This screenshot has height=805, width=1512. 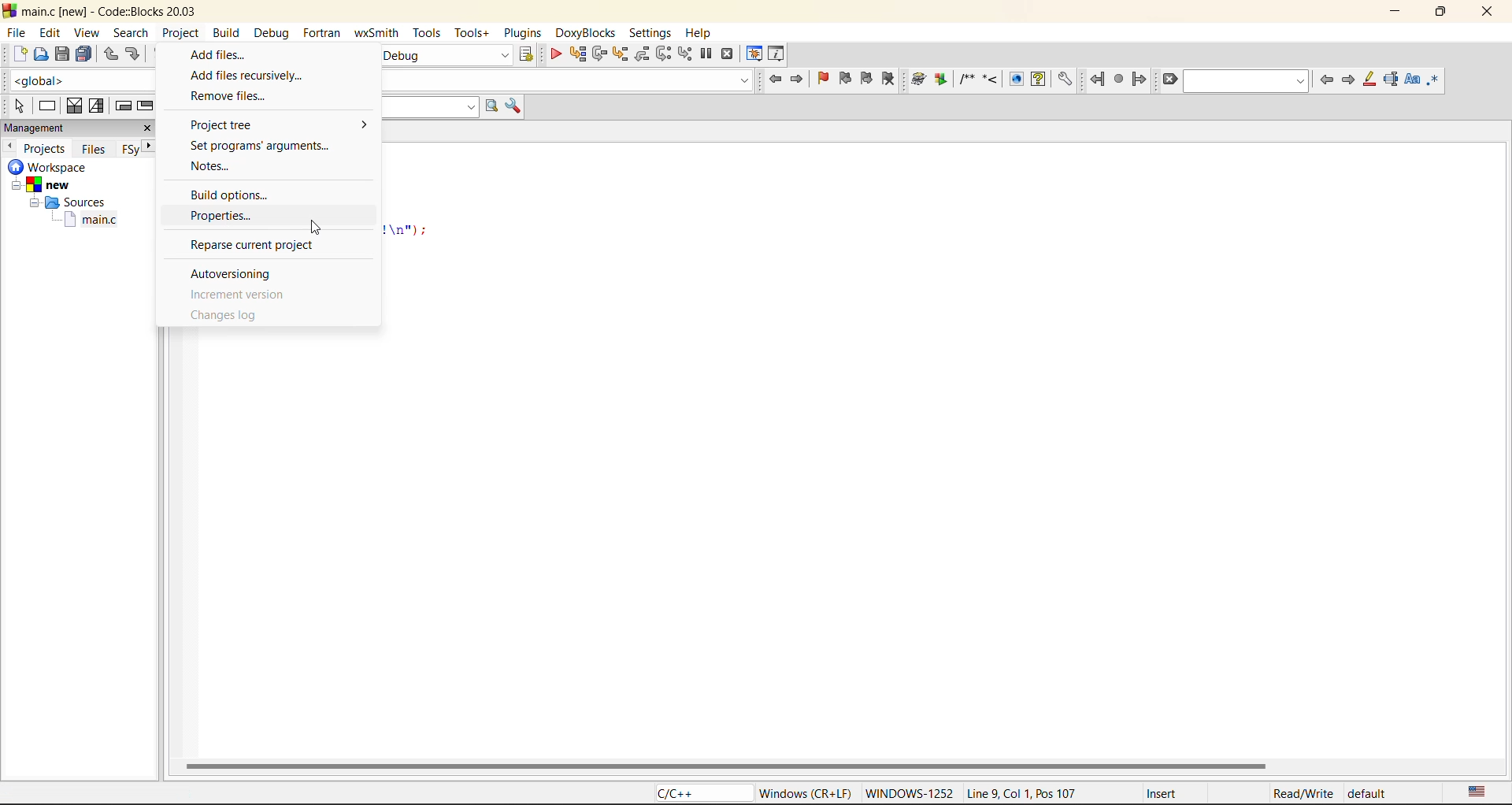 I want to click on undo, so click(x=112, y=56).